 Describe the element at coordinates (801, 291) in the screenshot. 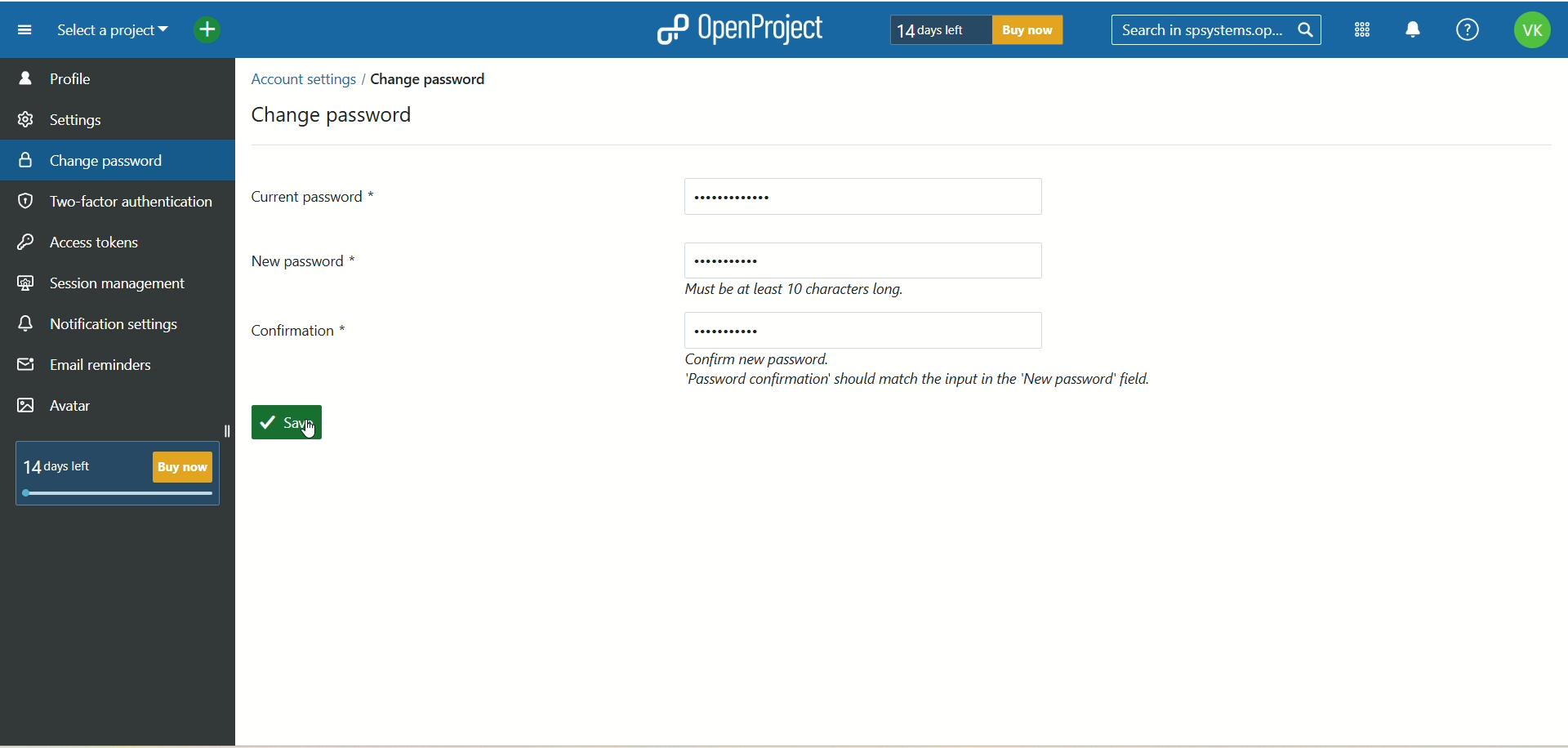

I see `text` at that location.